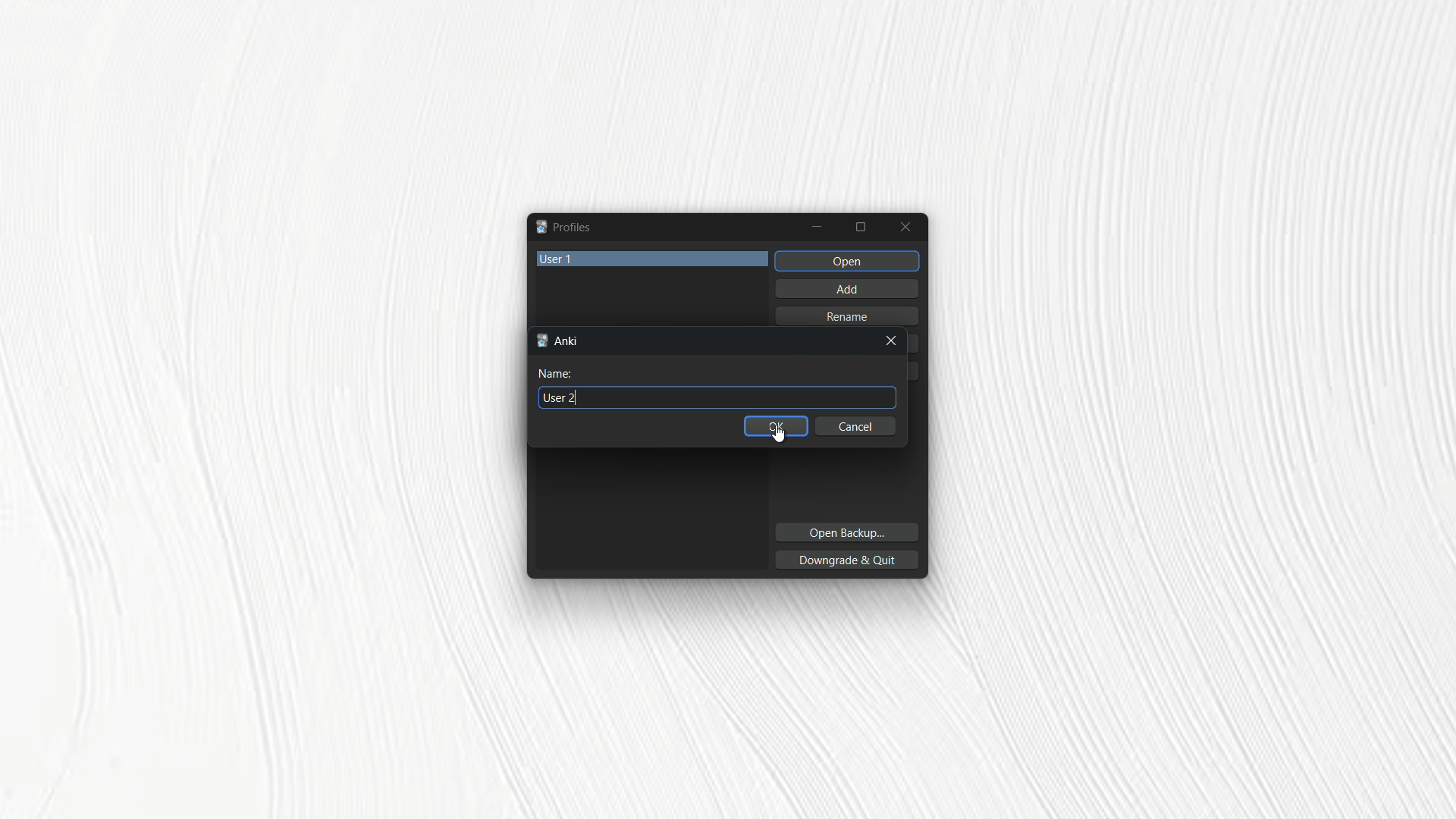  I want to click on close, so click(893, 343).